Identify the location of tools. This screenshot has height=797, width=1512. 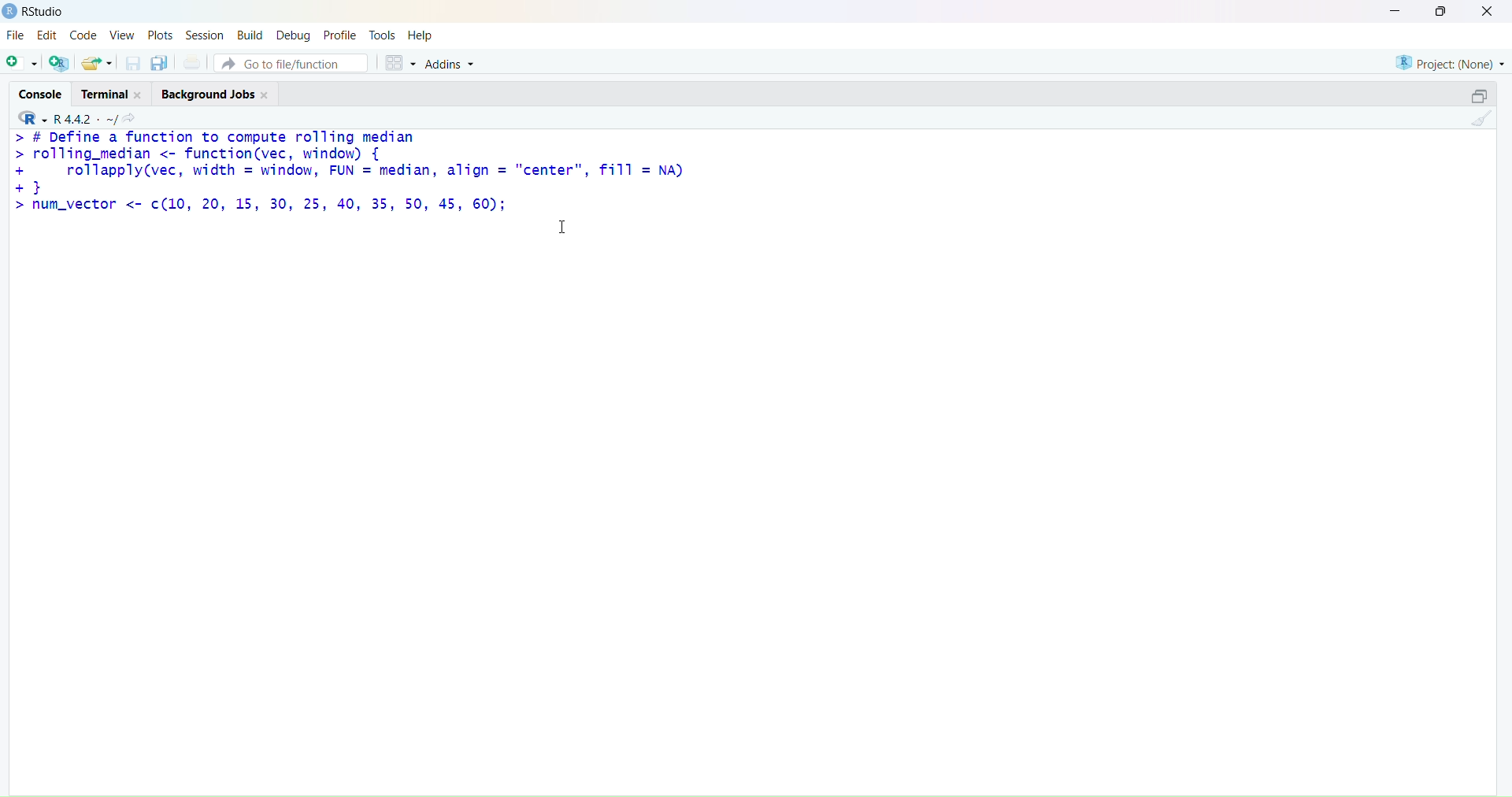
(383, 35).